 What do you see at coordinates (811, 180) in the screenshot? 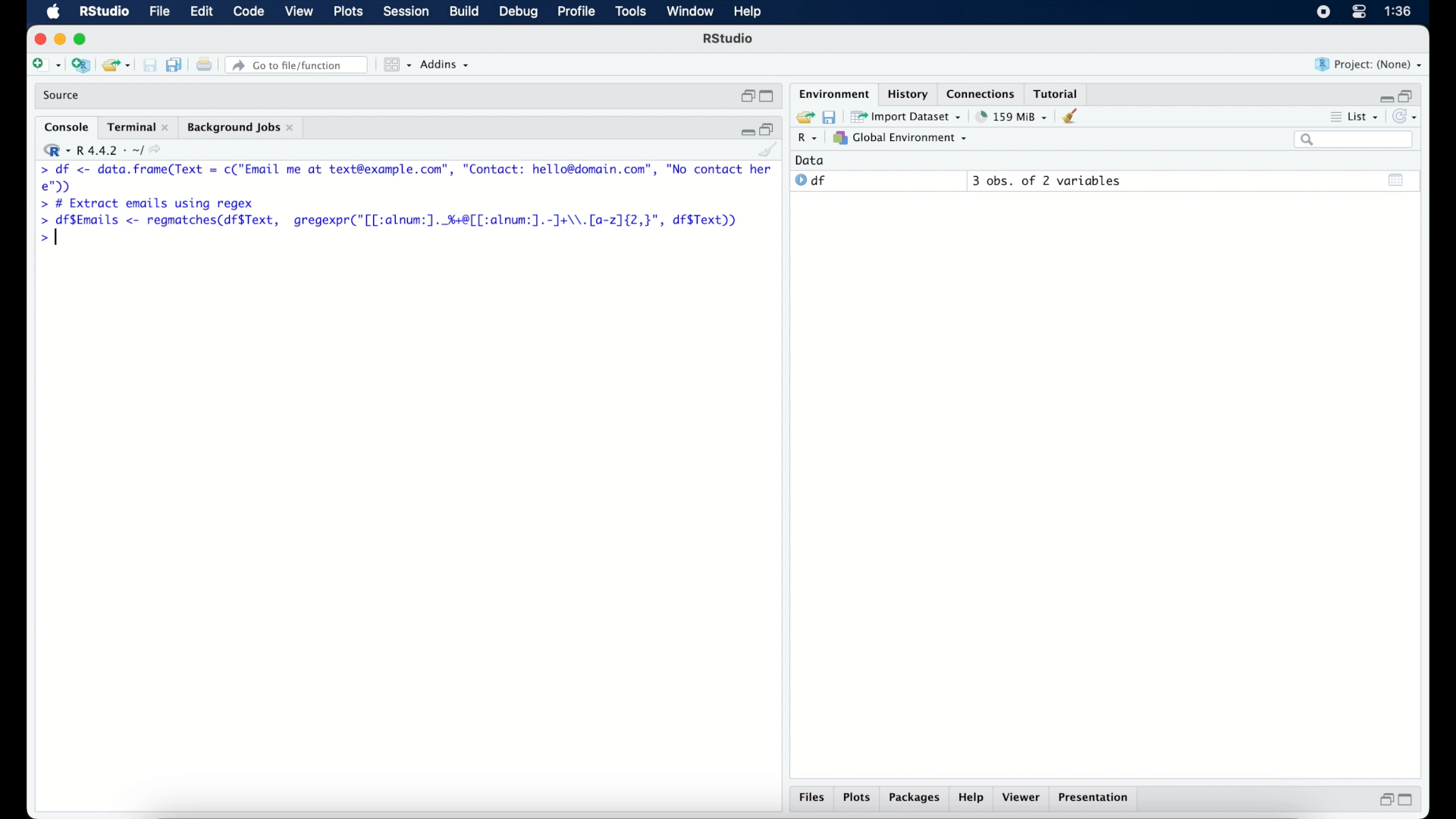
I see `df` at bounding box center [811, 180].